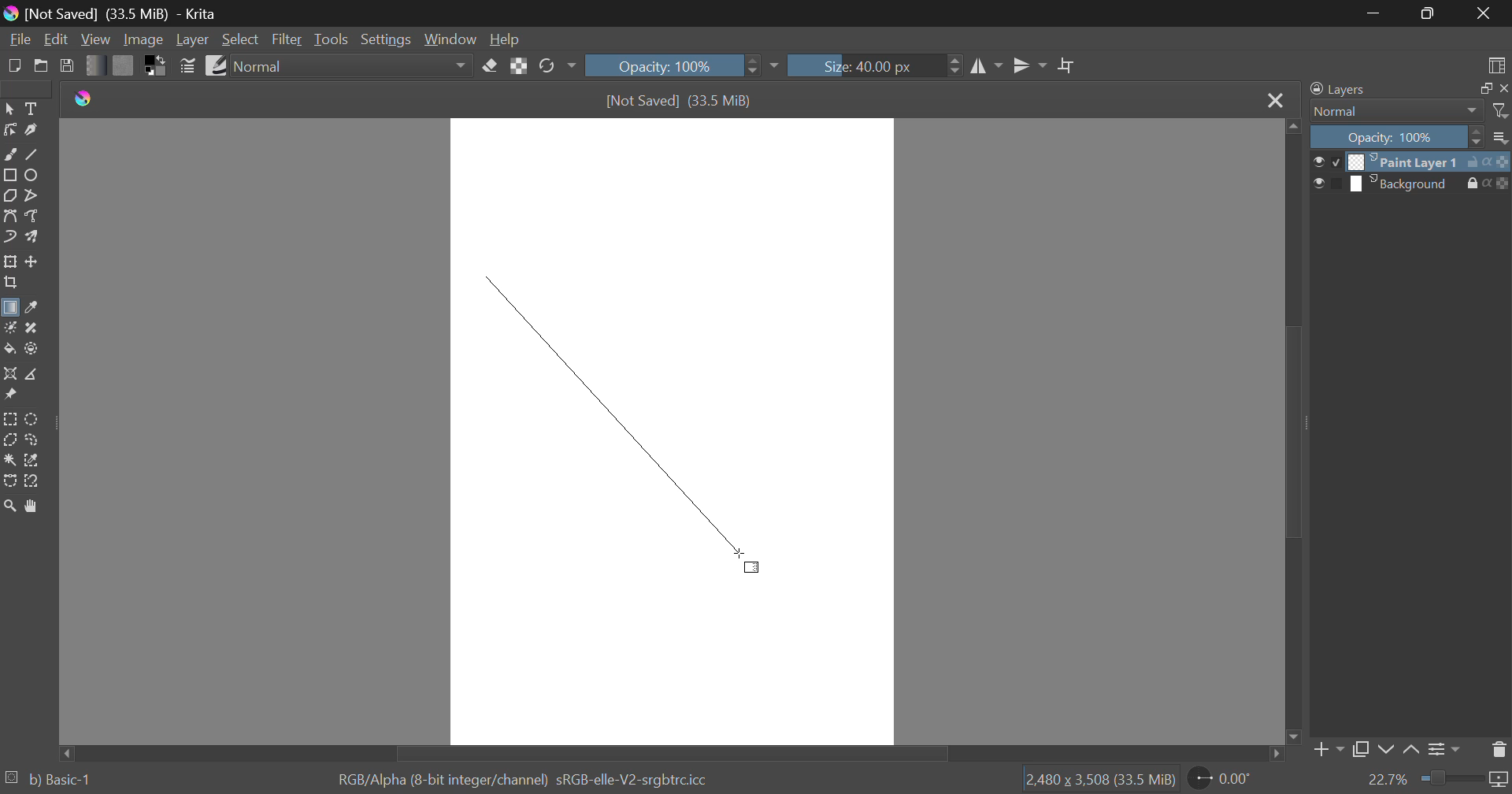 The height and width of the screenshot is (794, 1512). Describe the element at coordinates (96, 65) in the screenshot. I see `Gradient` at that location.